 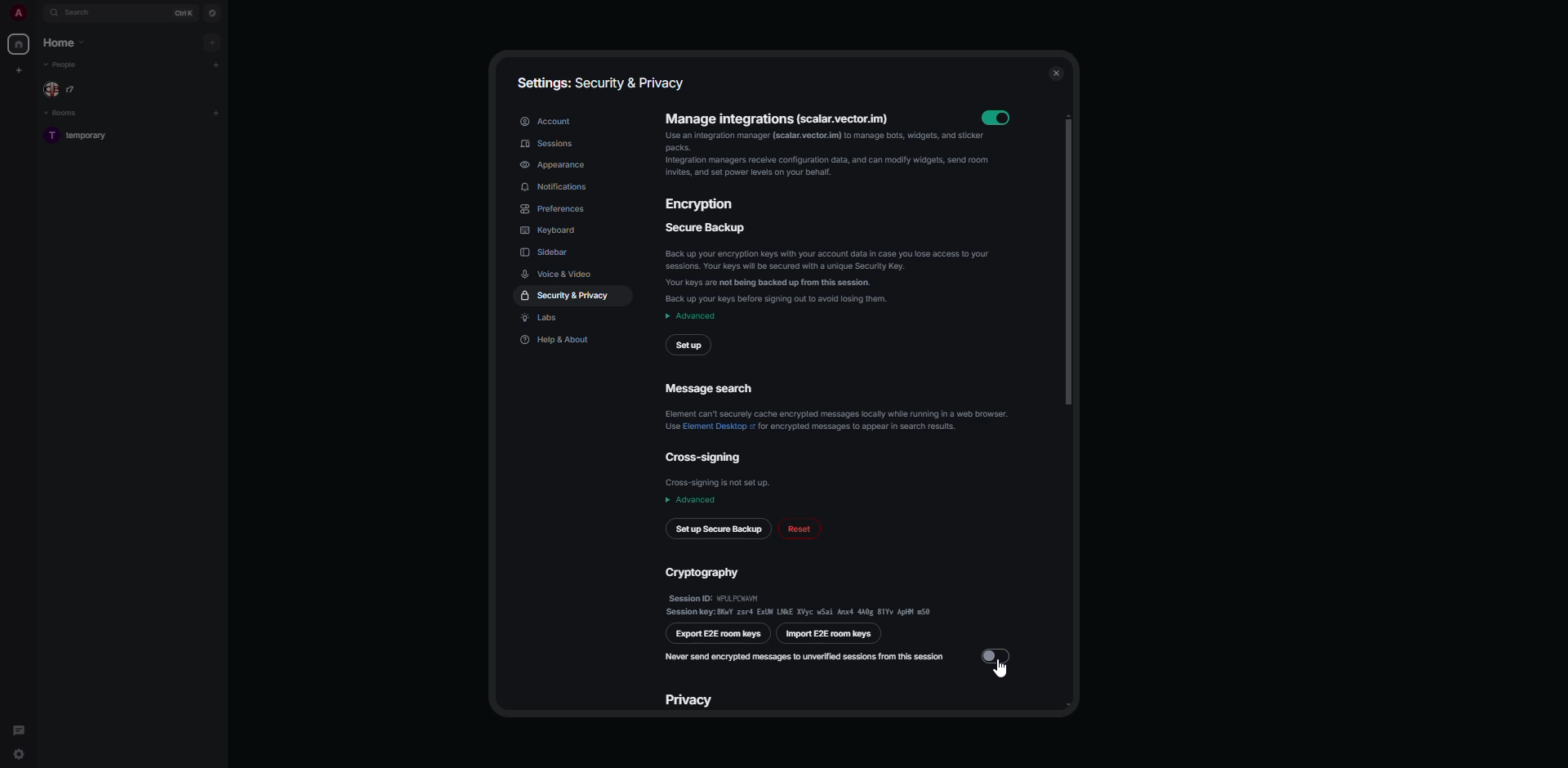 I want to click on rooms, so click(x=62, y=114).